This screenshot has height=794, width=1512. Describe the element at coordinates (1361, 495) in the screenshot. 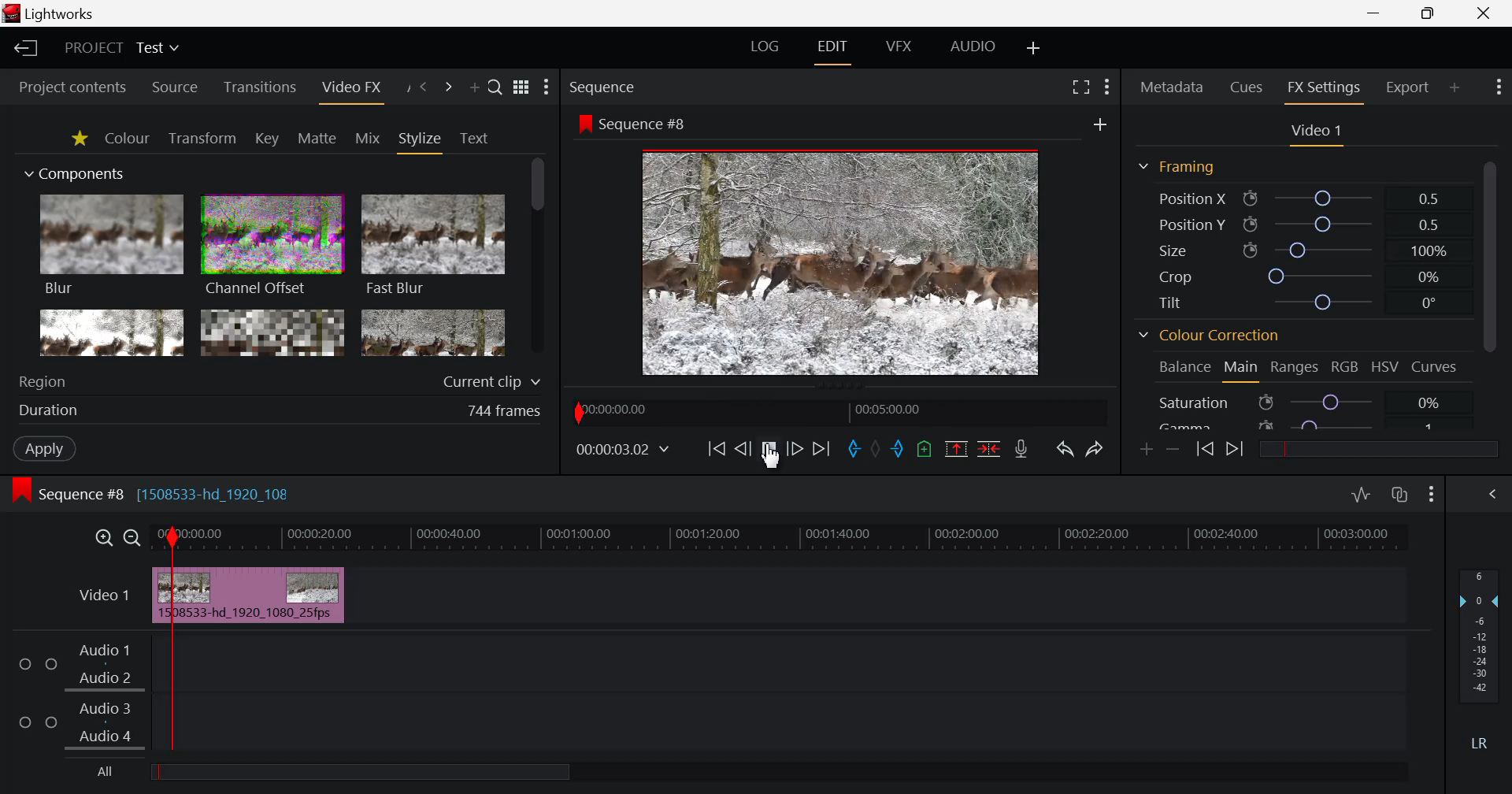

I see `Toggle audio levels editing` at that location.